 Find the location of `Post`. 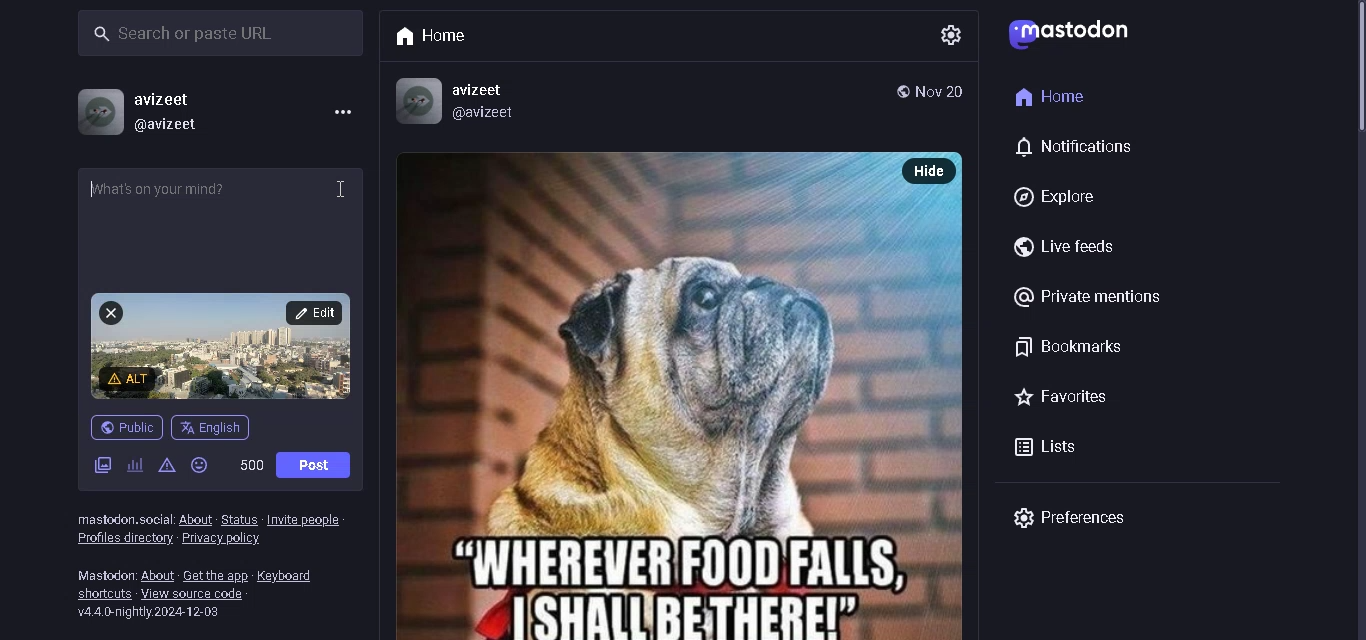

Post is located at coordinates (317, 466).